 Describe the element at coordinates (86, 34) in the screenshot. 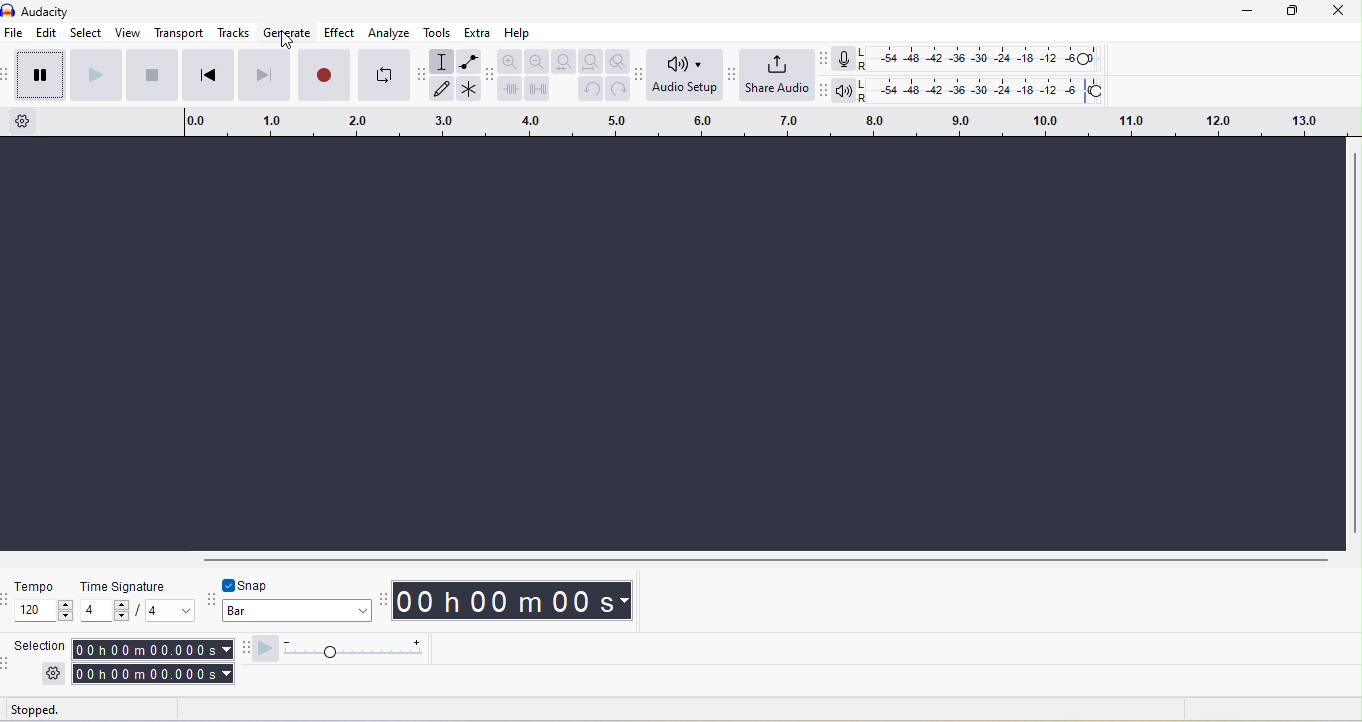

I see `select` at that location.